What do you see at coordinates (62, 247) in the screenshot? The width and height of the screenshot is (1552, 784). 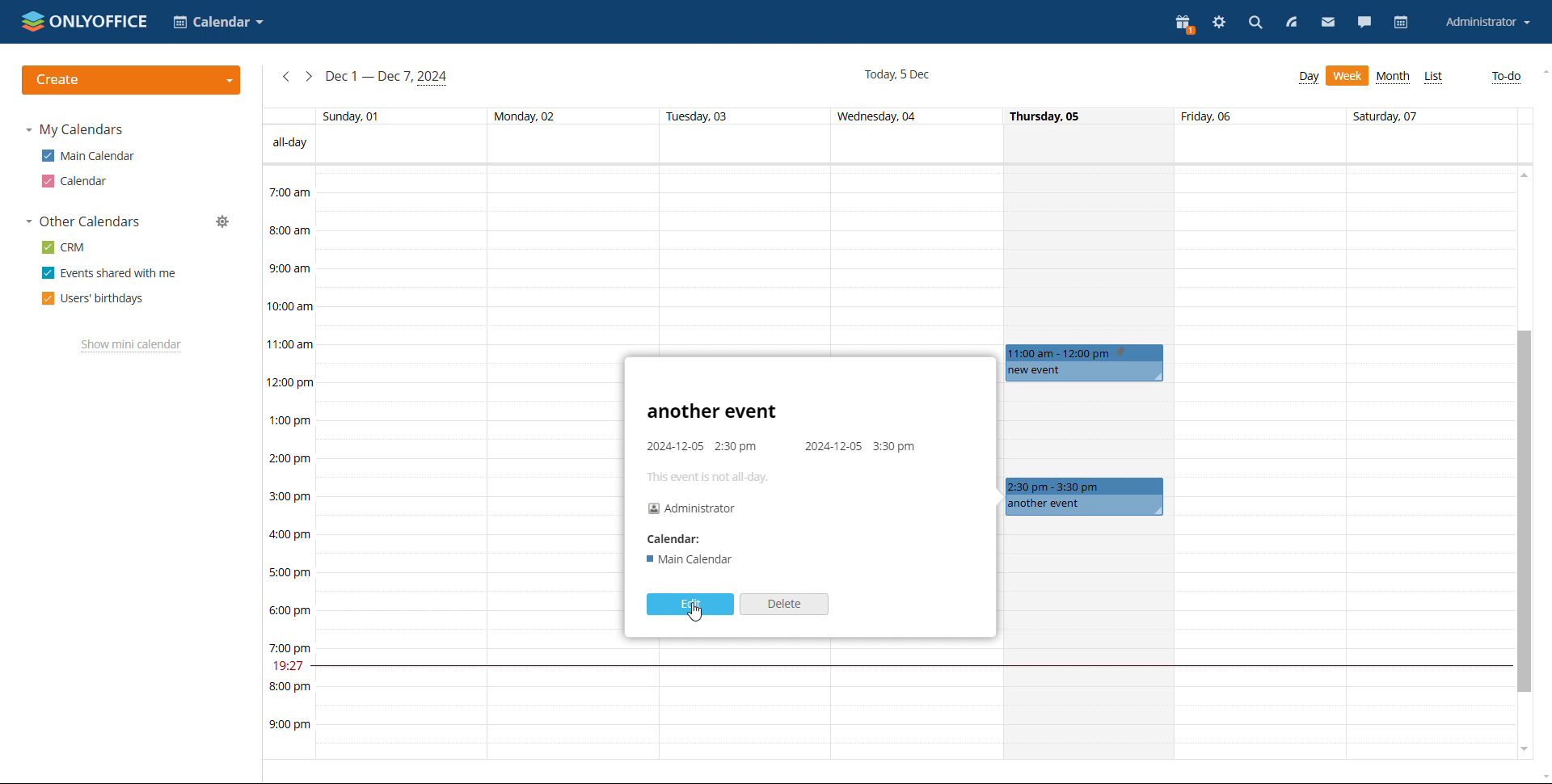 I see `crm` at bounding box center [62, 247].